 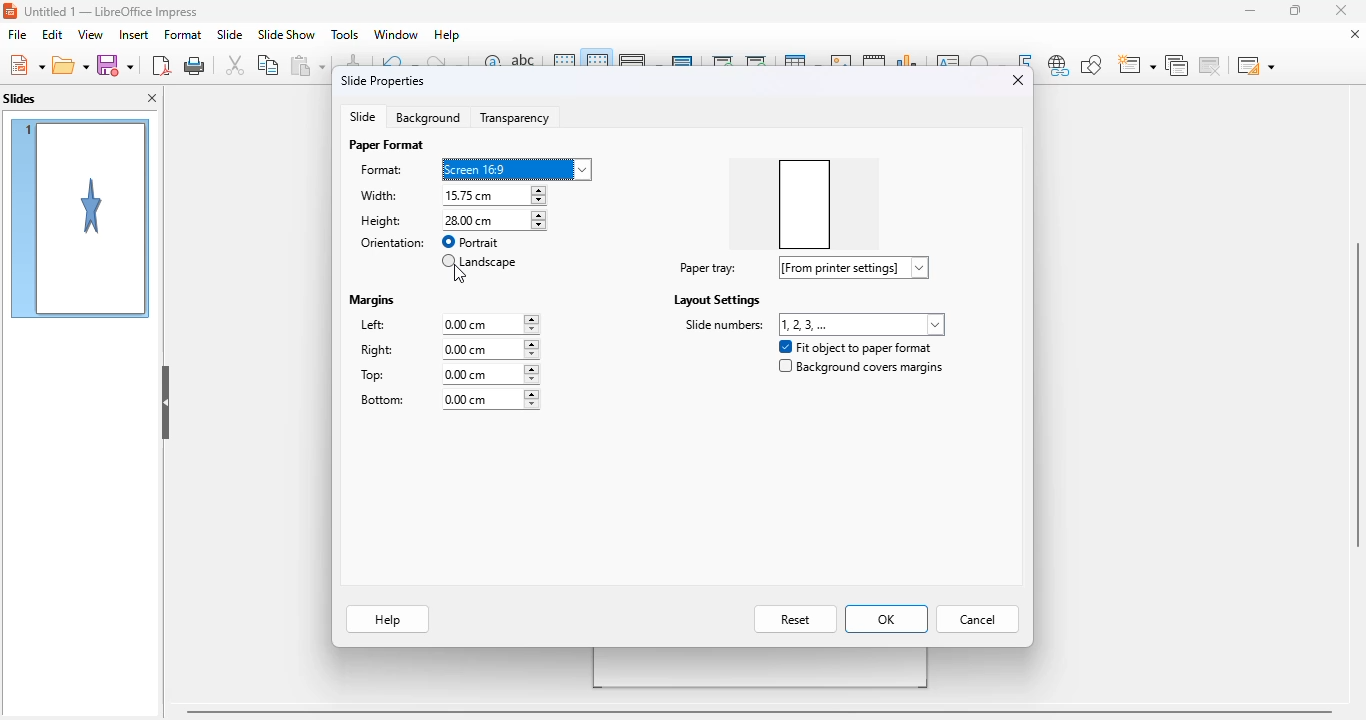 What do you see at coordinates (460, 274) in the screenshot?
I see `cursor` at bounding box center [460, 274].